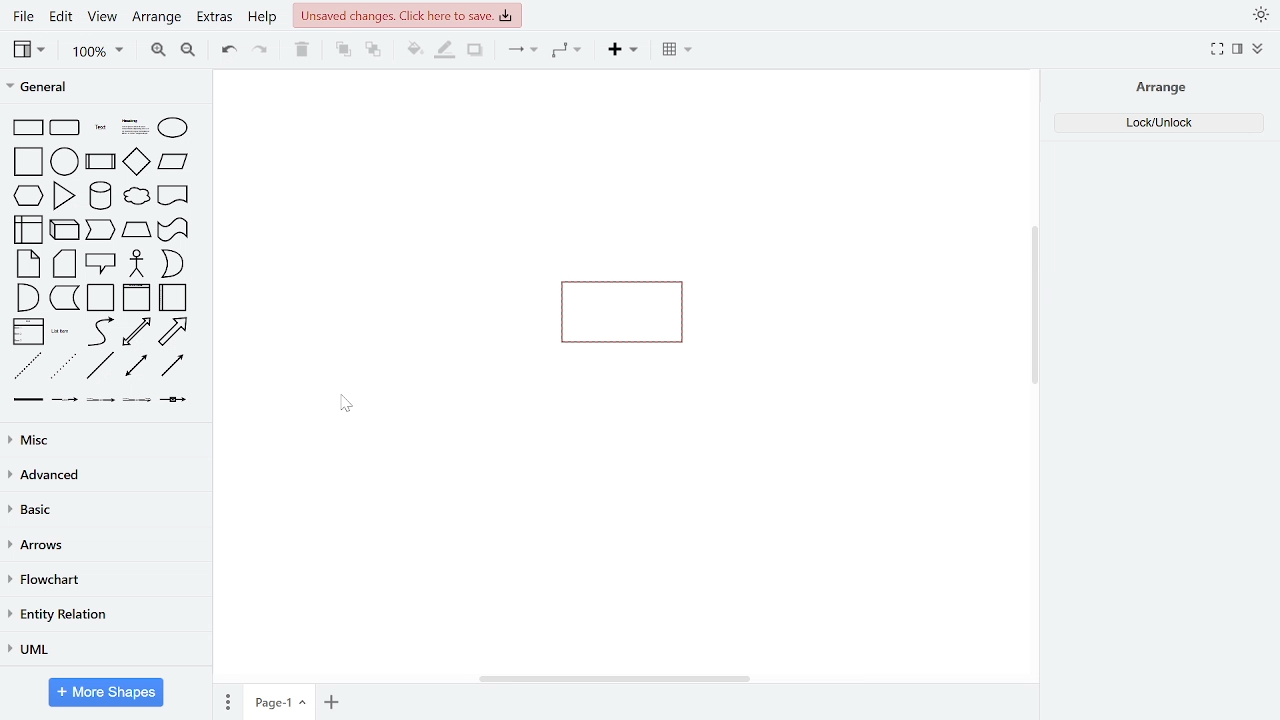 Image resolution: width=1280 pixels, height=720 pixels. I want to click on list, so click(27, 333).